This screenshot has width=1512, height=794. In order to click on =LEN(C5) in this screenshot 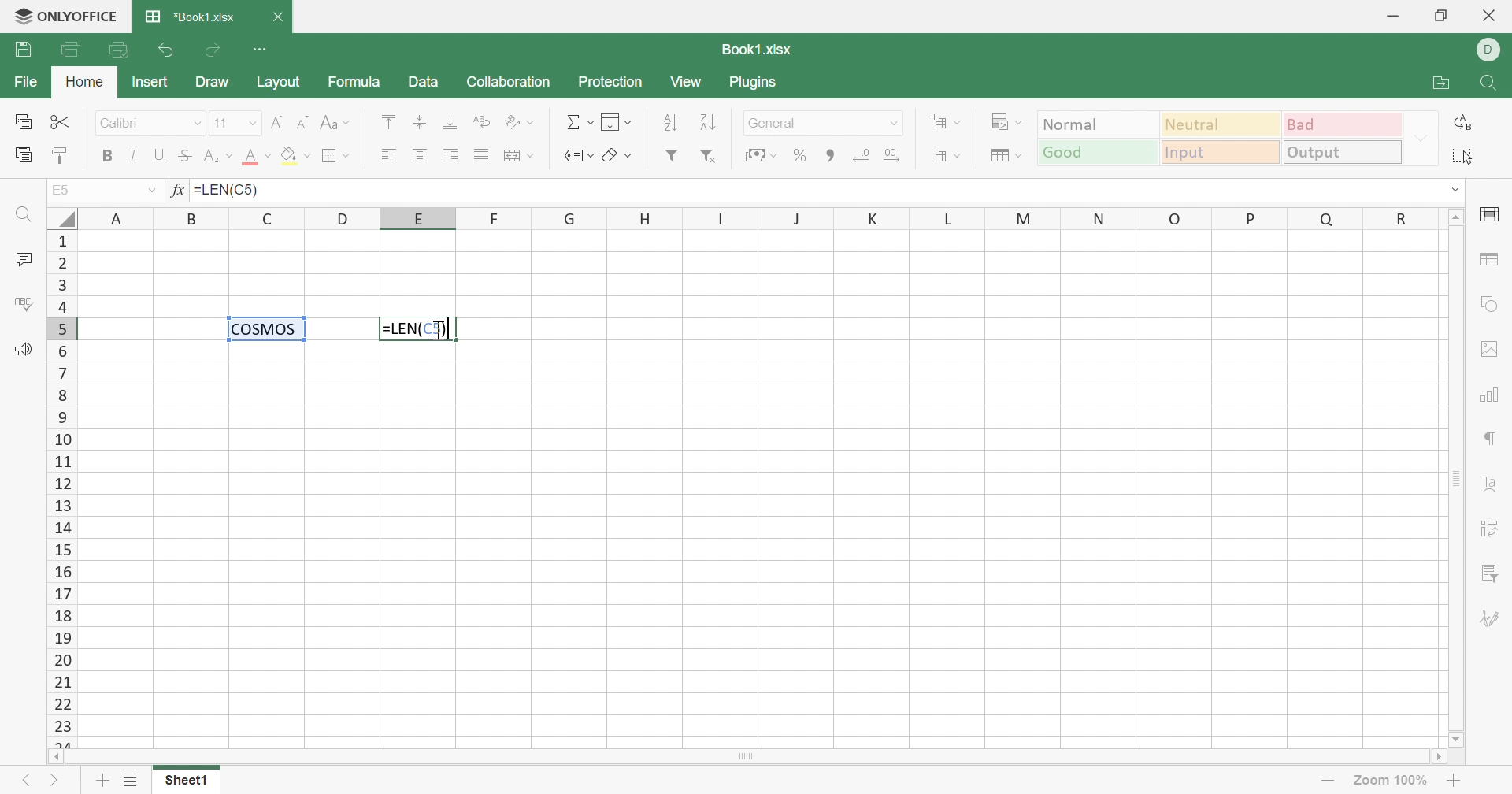, I will do `click(417, 328)`.